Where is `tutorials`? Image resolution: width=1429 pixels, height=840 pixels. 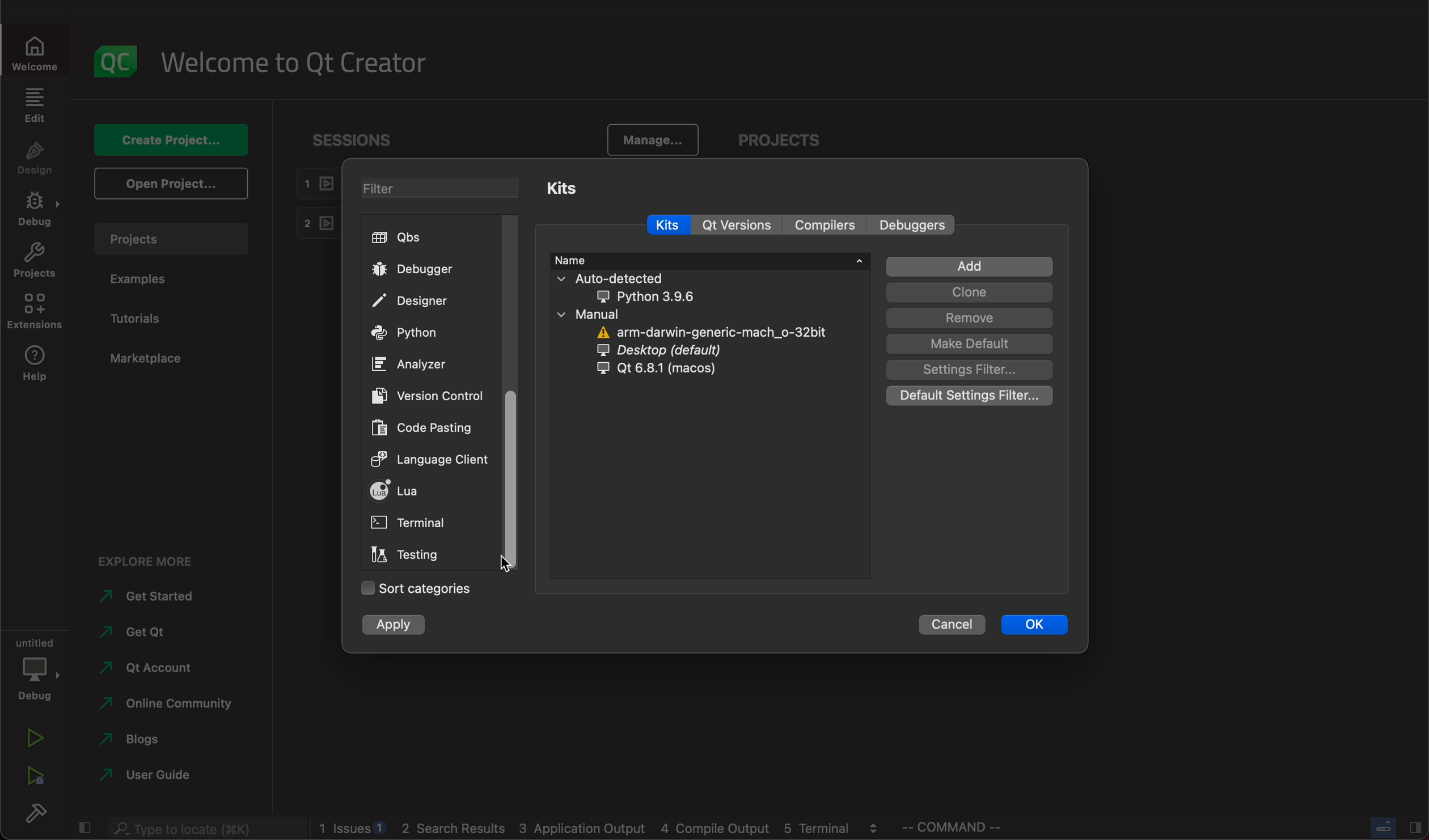 tutorials is located at coordinates (139, 317).